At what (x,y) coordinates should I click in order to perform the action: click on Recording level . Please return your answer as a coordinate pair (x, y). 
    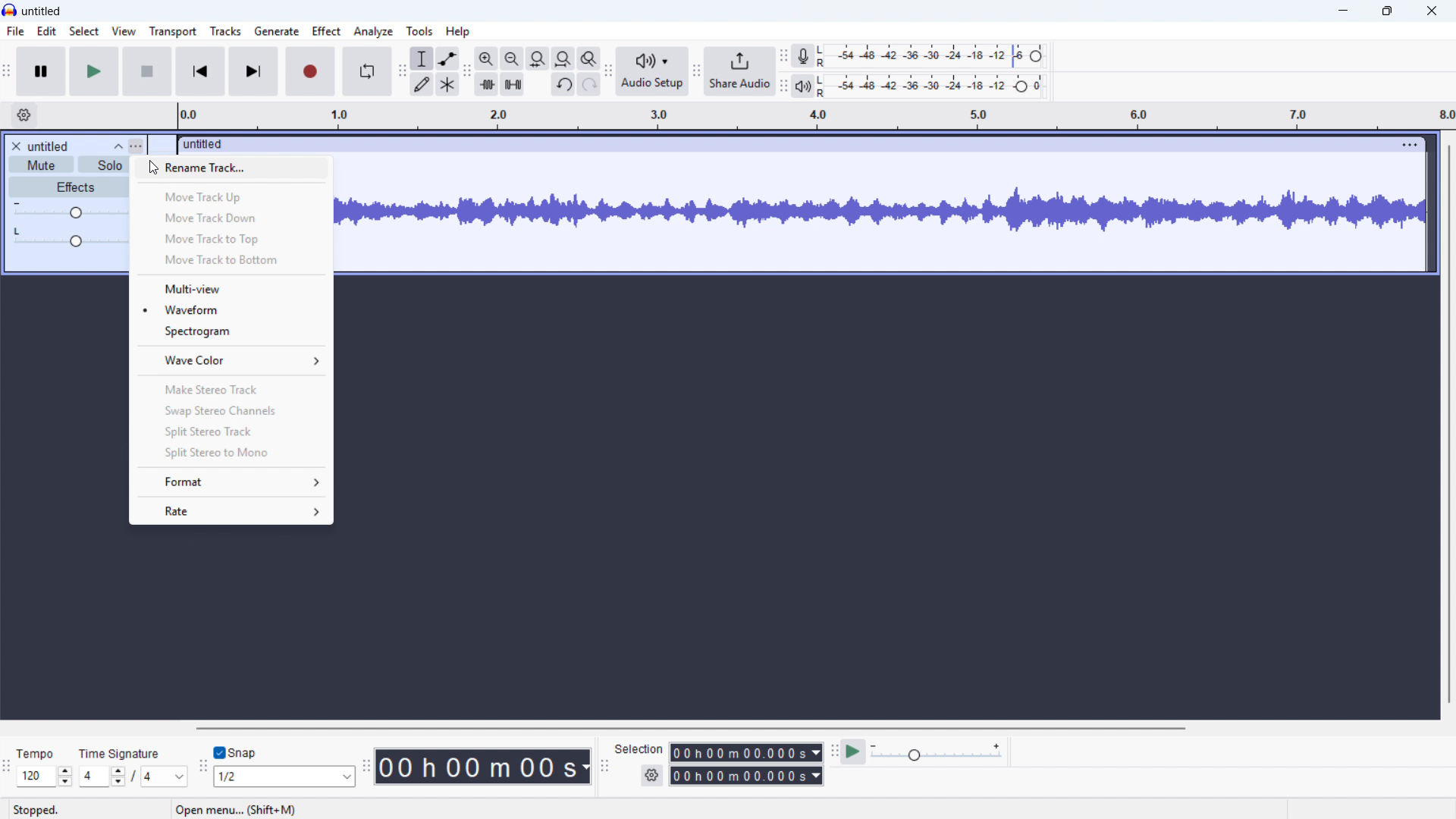
    Looking at the image, I should click on (936, 55).